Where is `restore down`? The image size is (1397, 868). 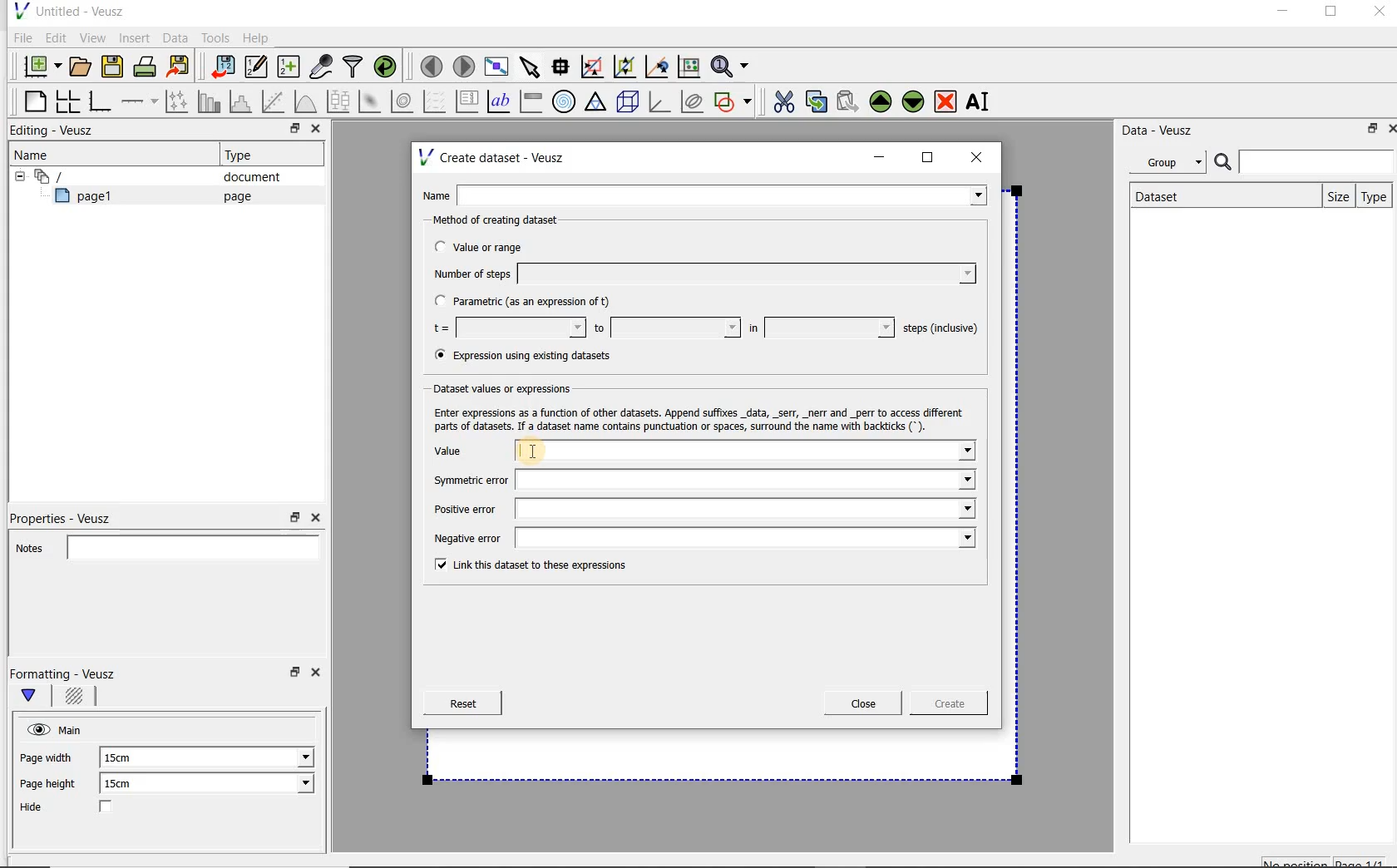 restore down is located at coordinates (290, 131).